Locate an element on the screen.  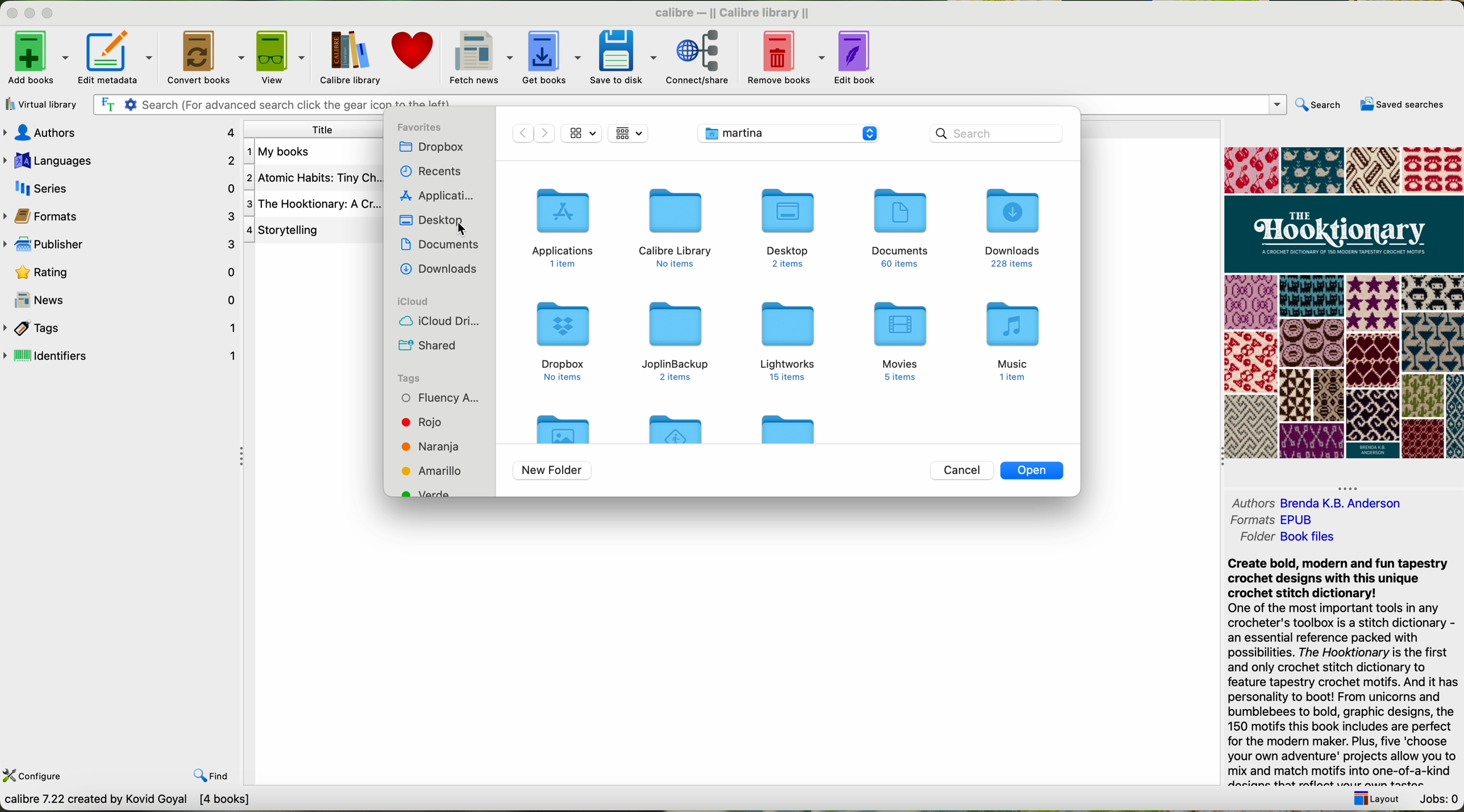
remove books is located at coordinates (787, 57).